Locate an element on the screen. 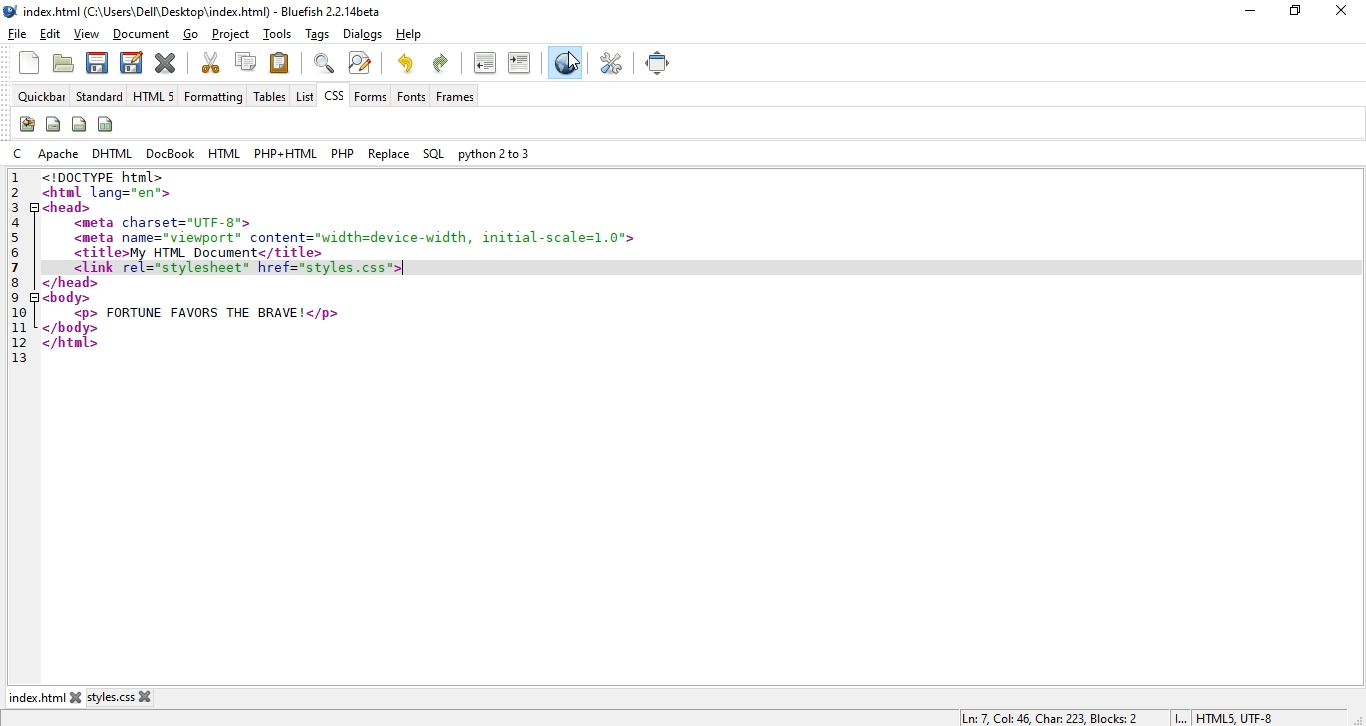 This screenshot has width=1366, height=726. go is located at coordinates (191, 35).